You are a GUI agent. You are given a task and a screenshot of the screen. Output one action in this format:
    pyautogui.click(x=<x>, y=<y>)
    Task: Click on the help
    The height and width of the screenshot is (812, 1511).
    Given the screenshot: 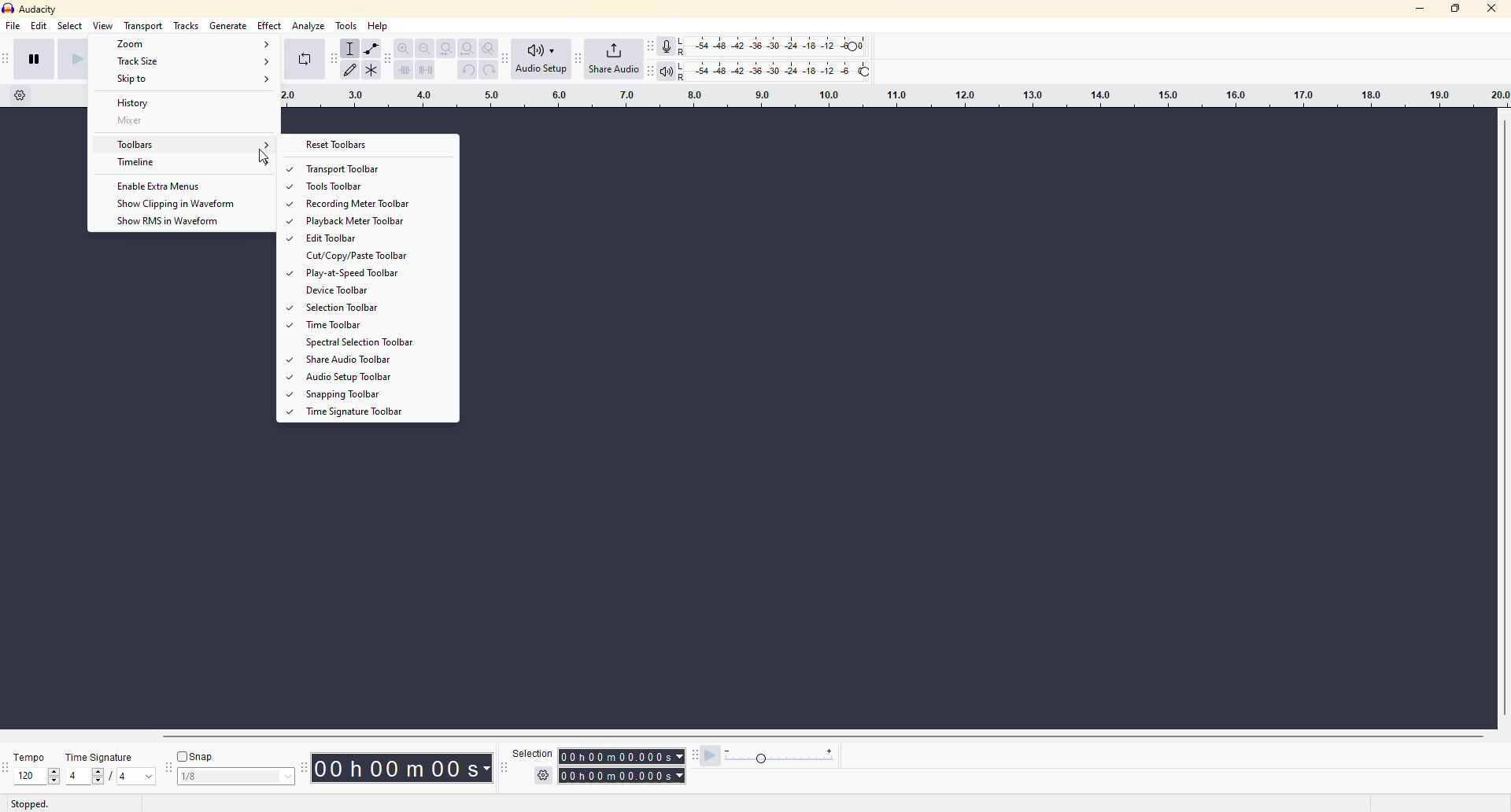 What is the action you would take?
    pyautogui.click(x=379, y=26)
    